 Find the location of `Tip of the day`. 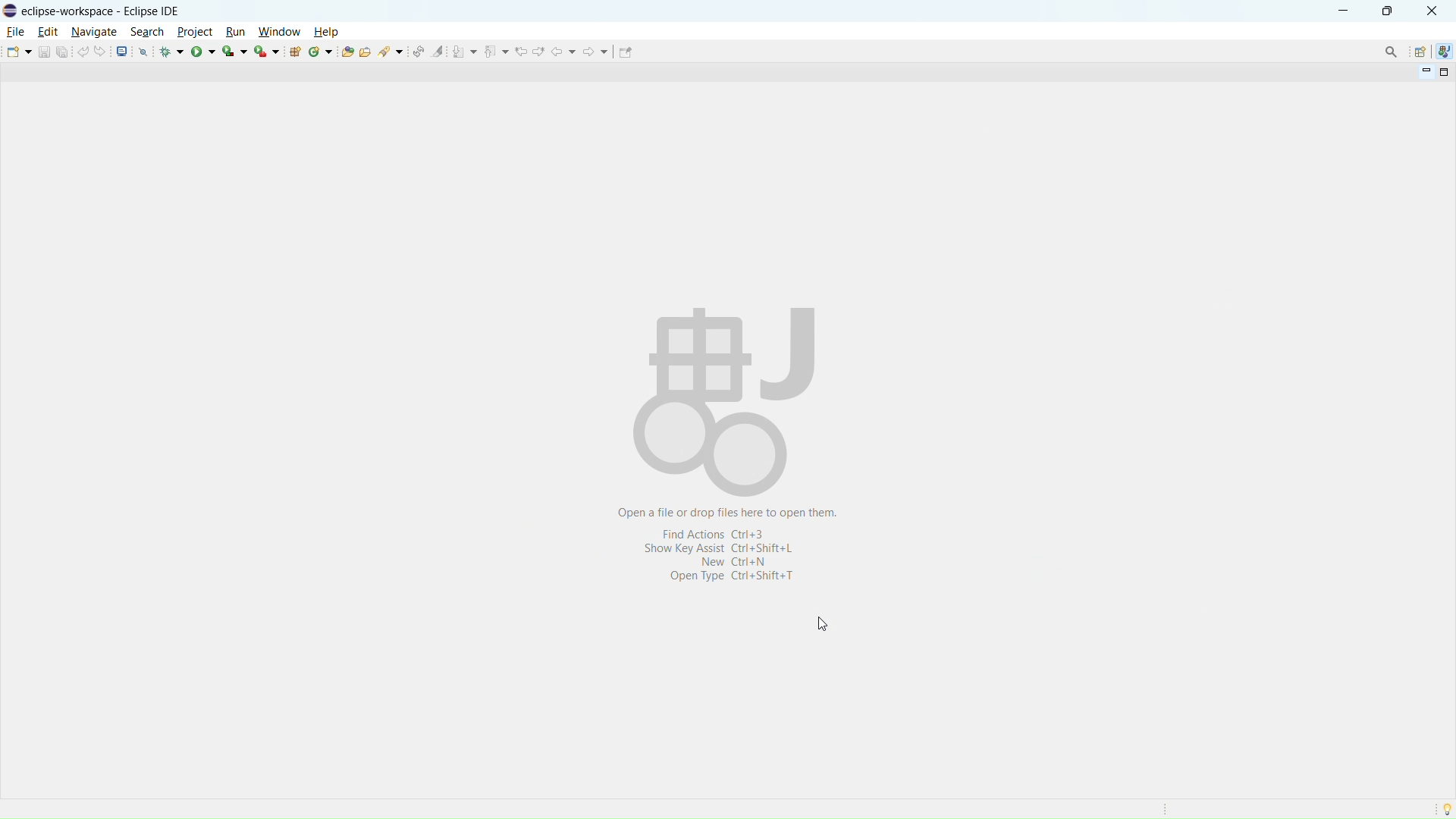

Tip of the day is located at coordinates (1447, 808).